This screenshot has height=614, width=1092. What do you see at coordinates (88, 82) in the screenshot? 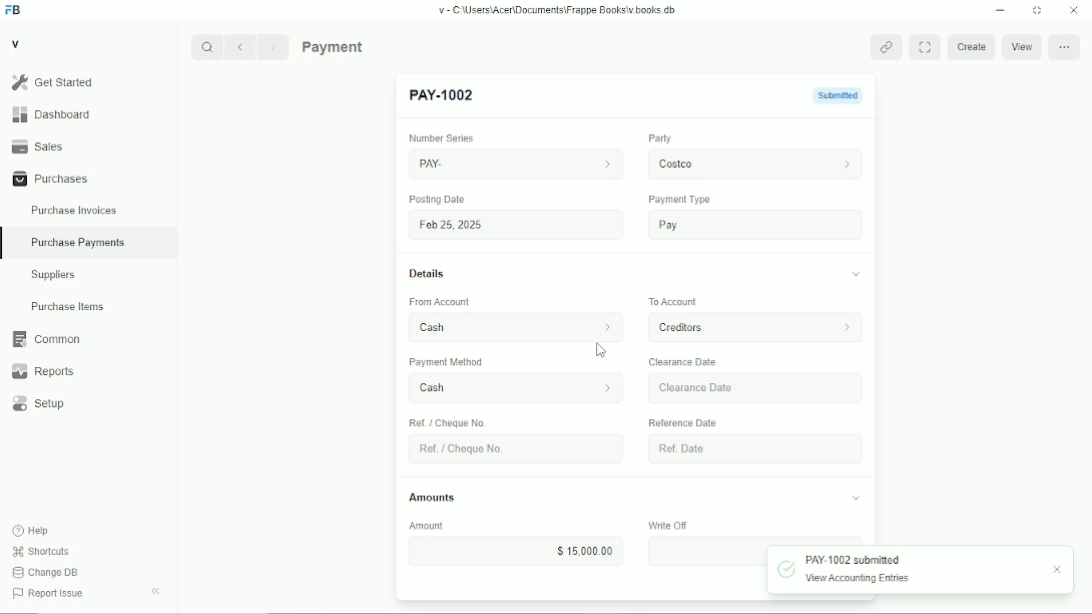
I see `Gel Started` at bounding box center [88, 82].